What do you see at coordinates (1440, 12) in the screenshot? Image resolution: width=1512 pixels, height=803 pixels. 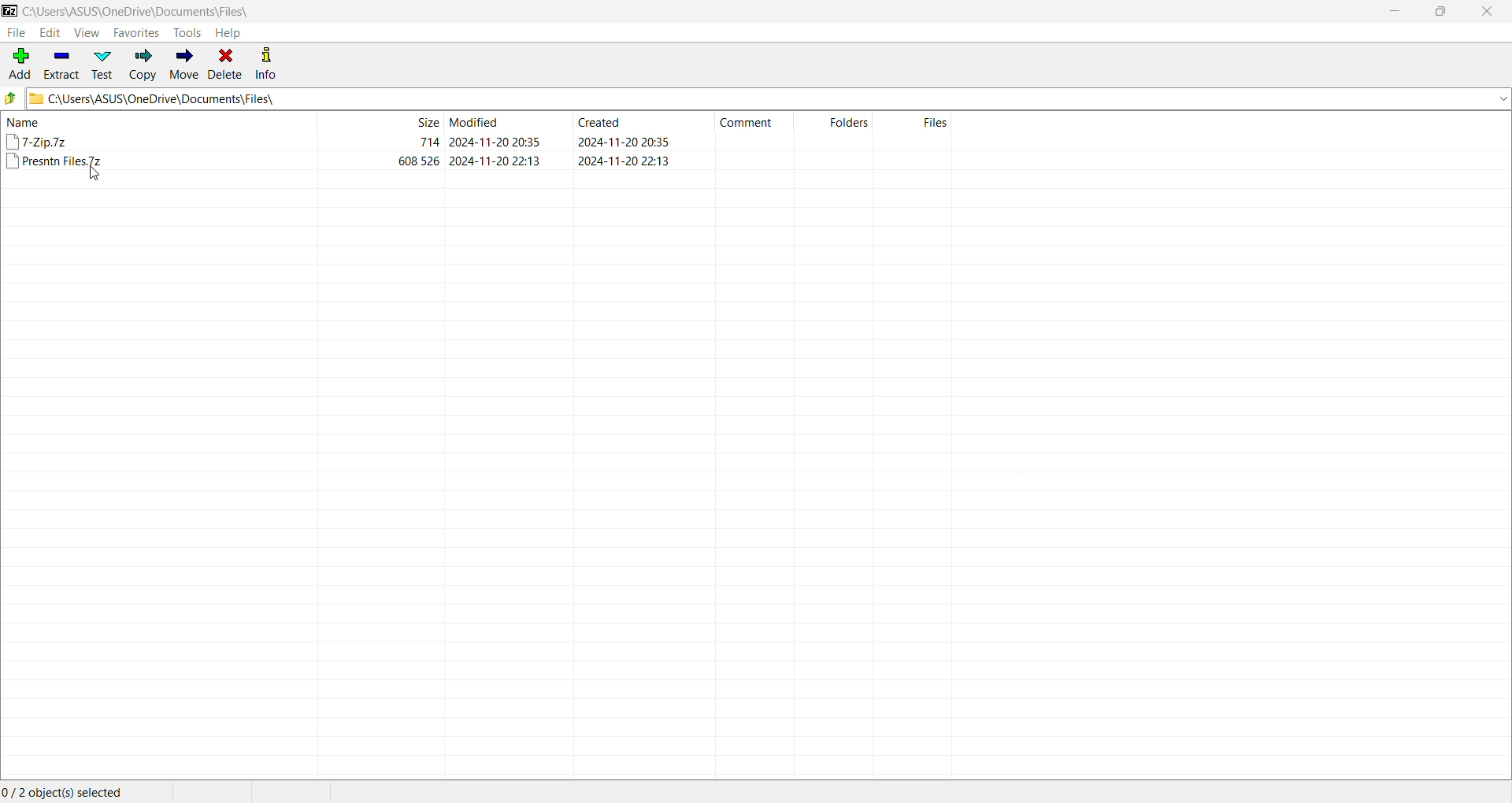 I see `Restore Down` at bounding box center [1440, 12].